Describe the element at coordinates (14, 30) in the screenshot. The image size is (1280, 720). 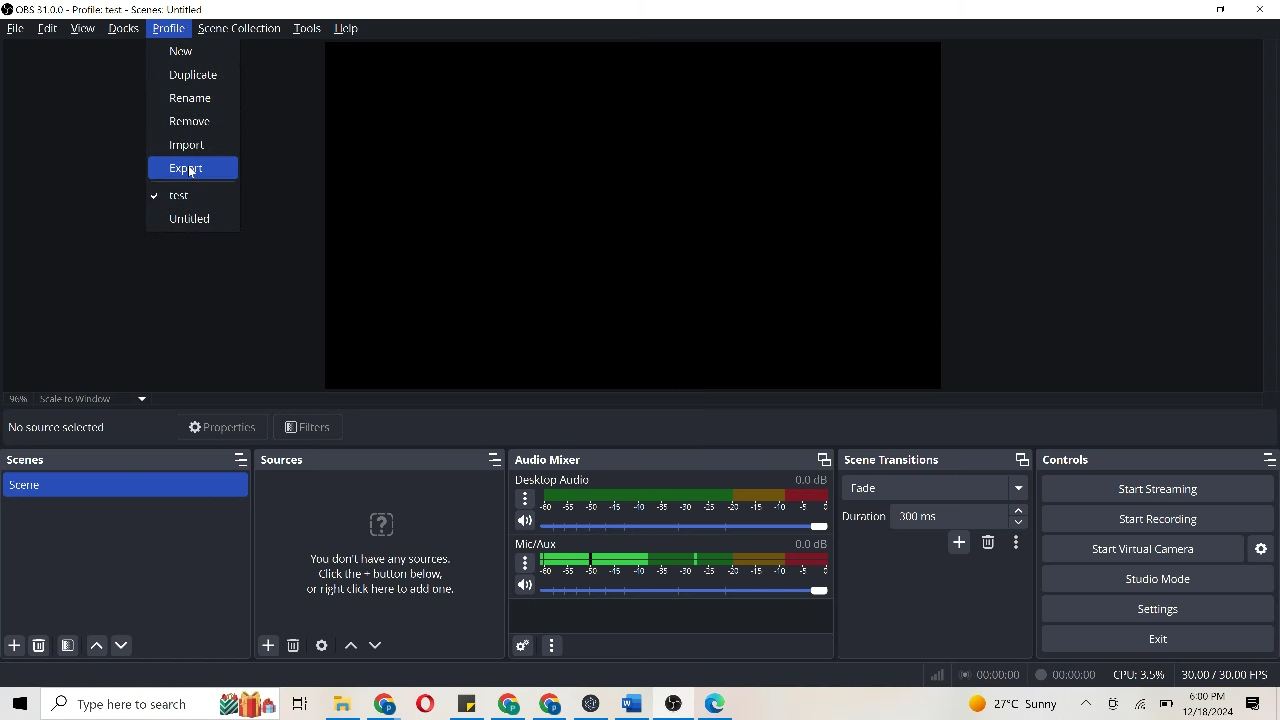
I see `file` at that location.